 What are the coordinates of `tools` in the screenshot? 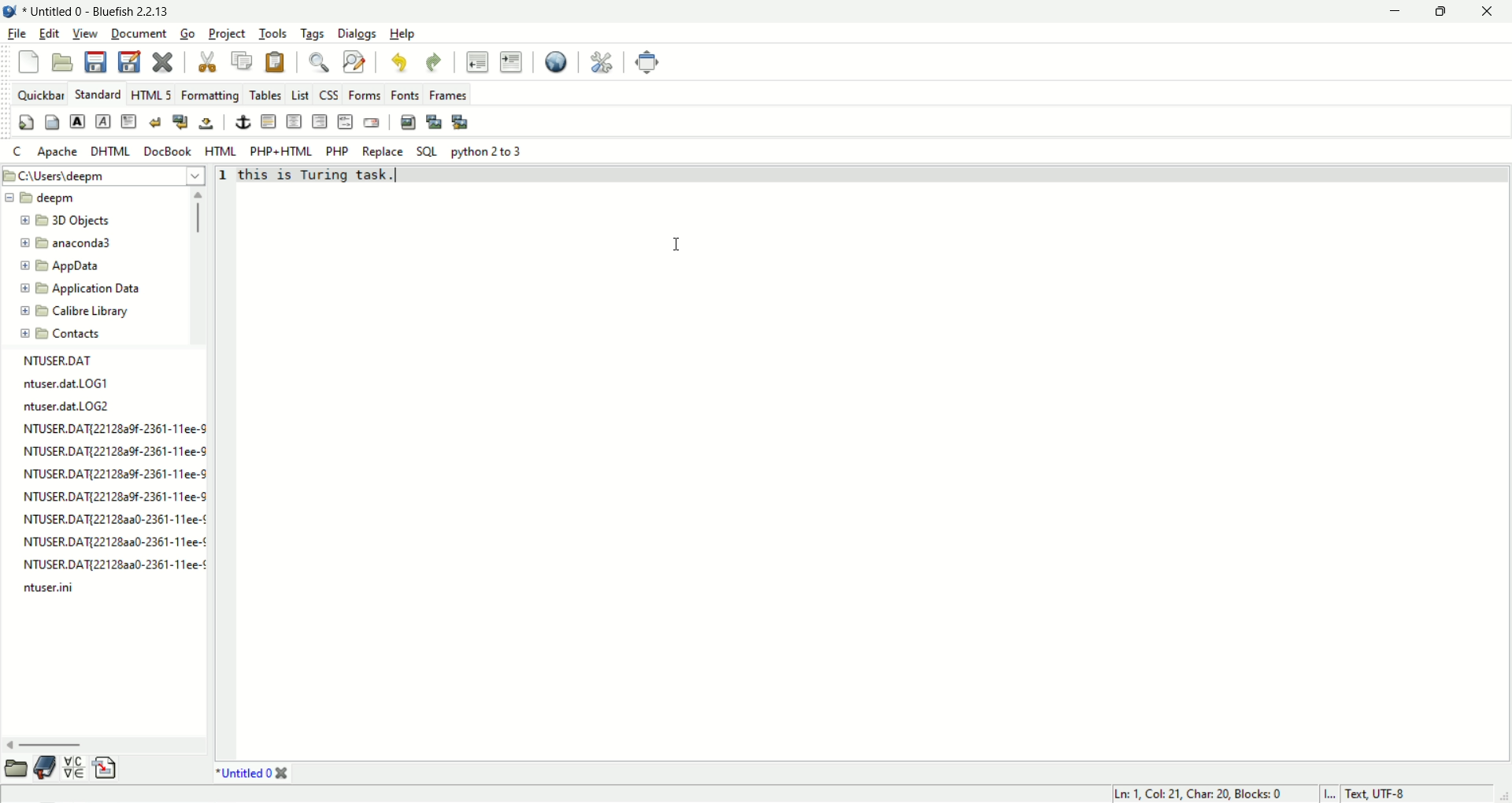 It's located at (273, 34).